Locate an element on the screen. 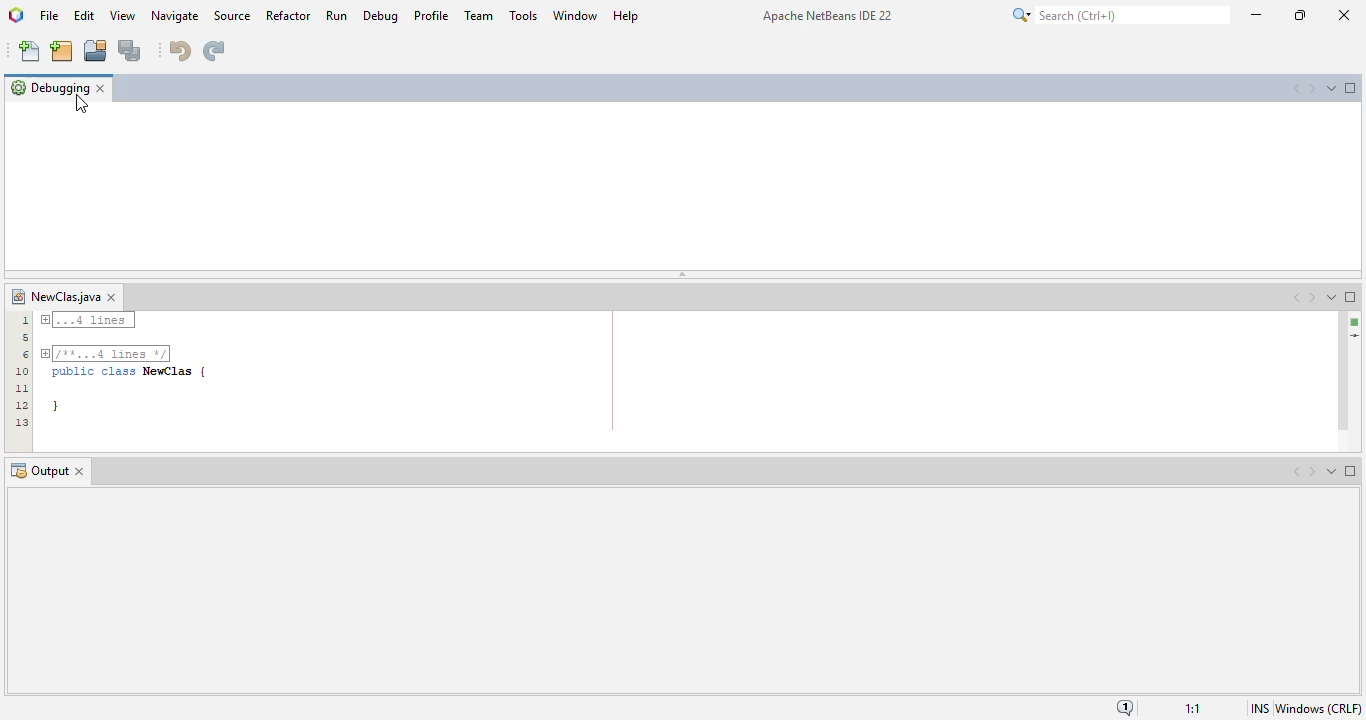  logo is located at coordinates (17, 16).